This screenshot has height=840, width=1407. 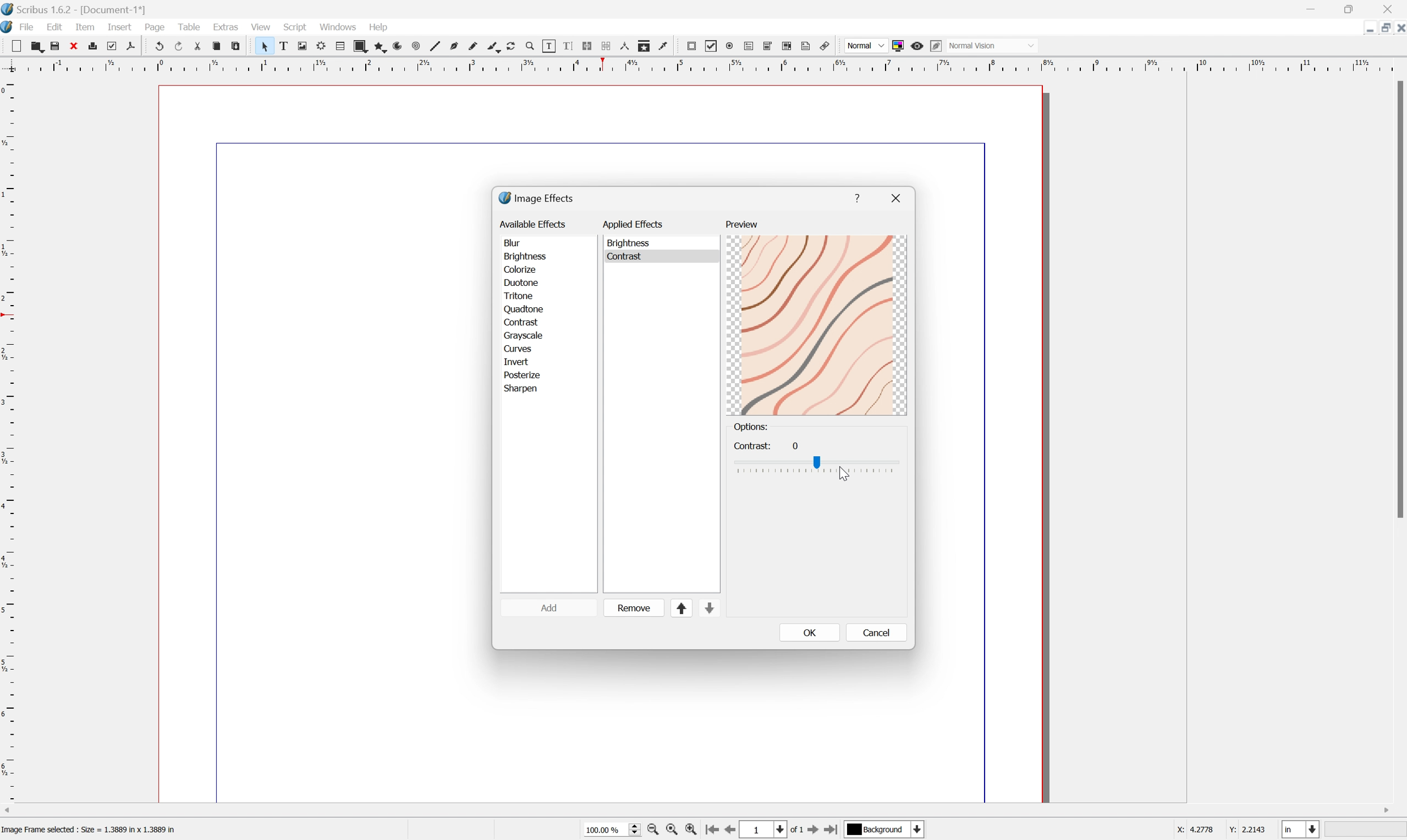 What do you see at coordinates (1398, 29) in the screenshot?
I see `Close` at bounding box center [1398, 29].